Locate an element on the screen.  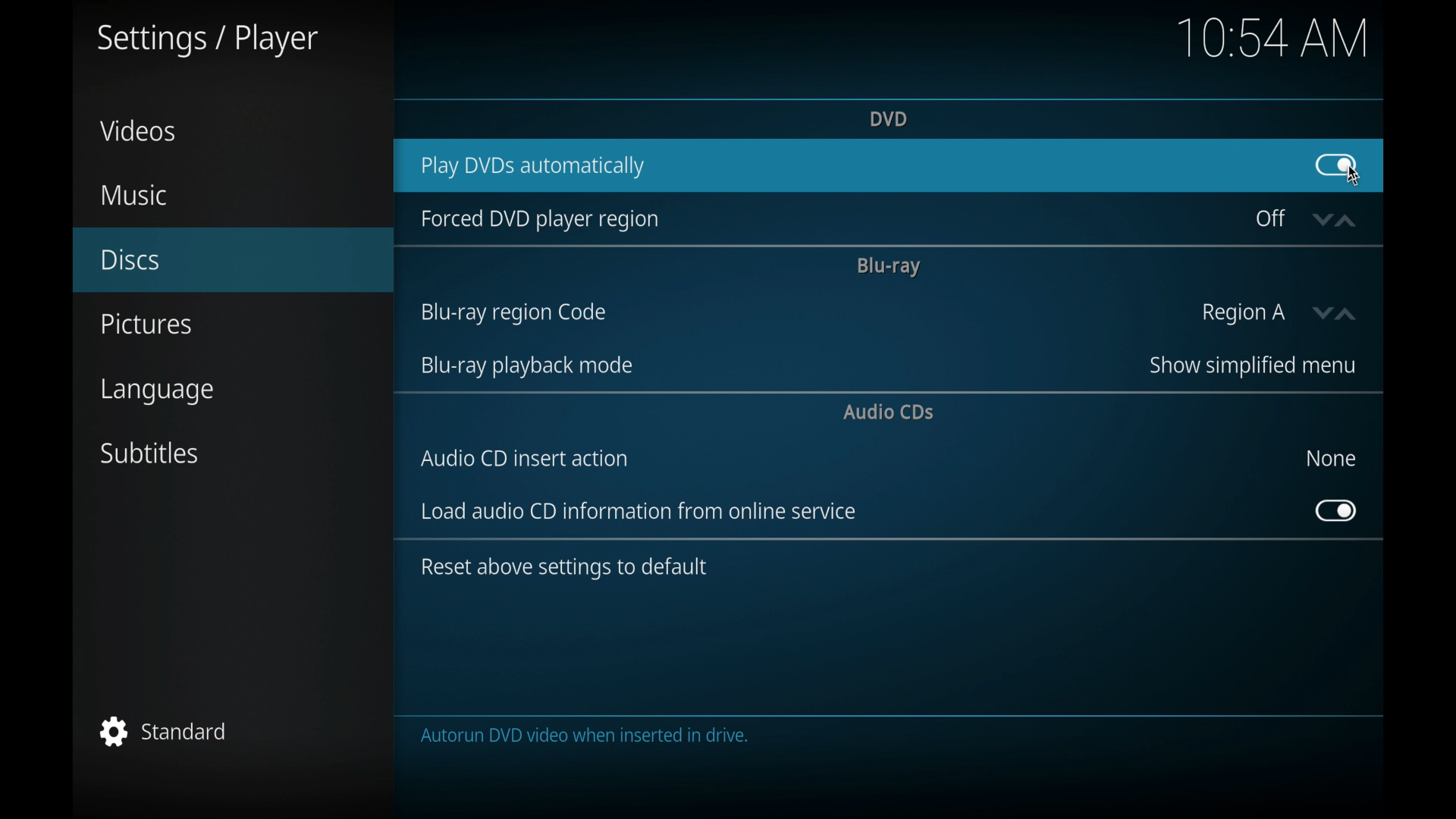
DVD and blu-ray settings is located at coordinates (720, 736).